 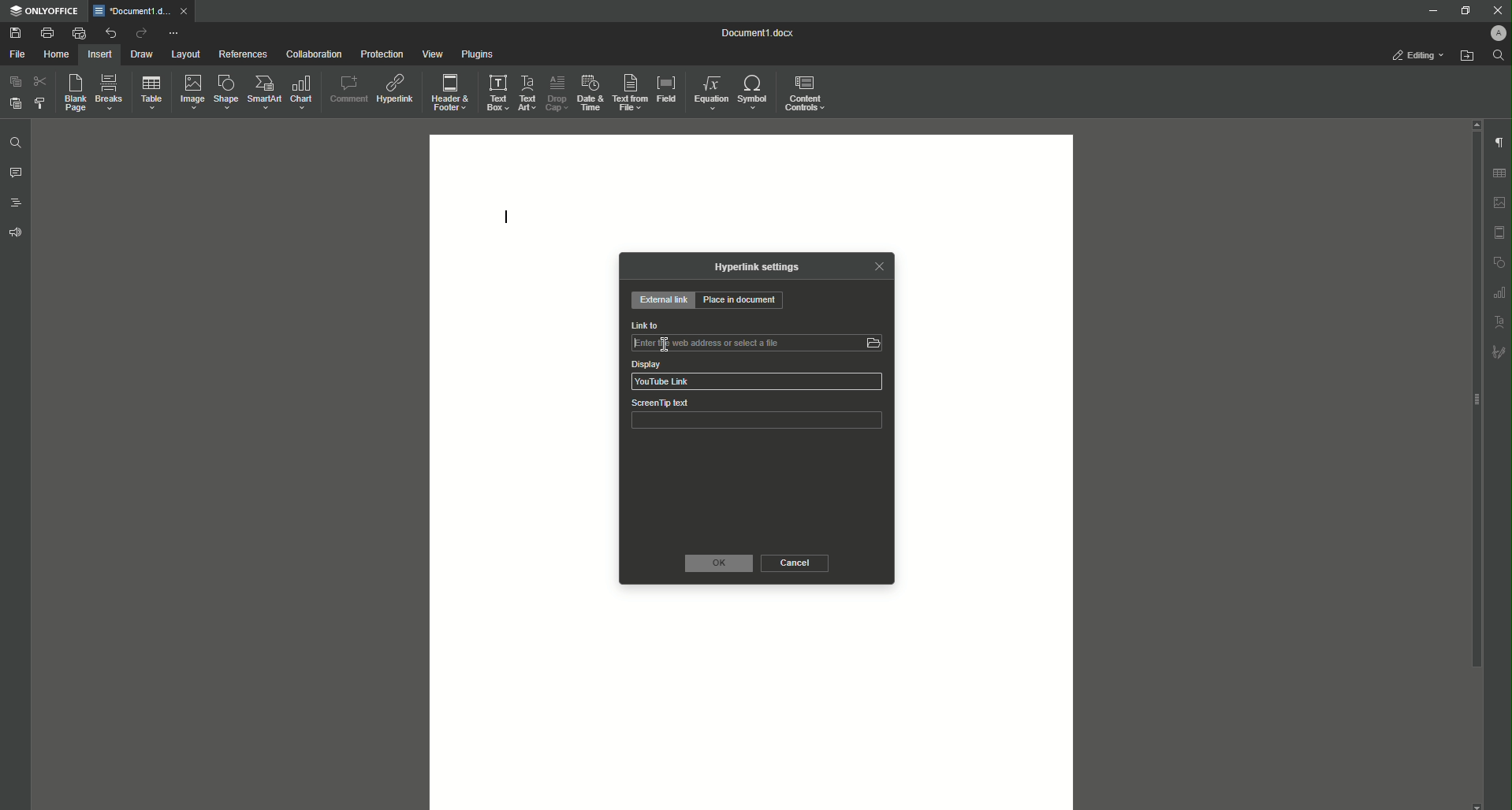 I want to click on YouTube Link, so click(x=665, y=383).